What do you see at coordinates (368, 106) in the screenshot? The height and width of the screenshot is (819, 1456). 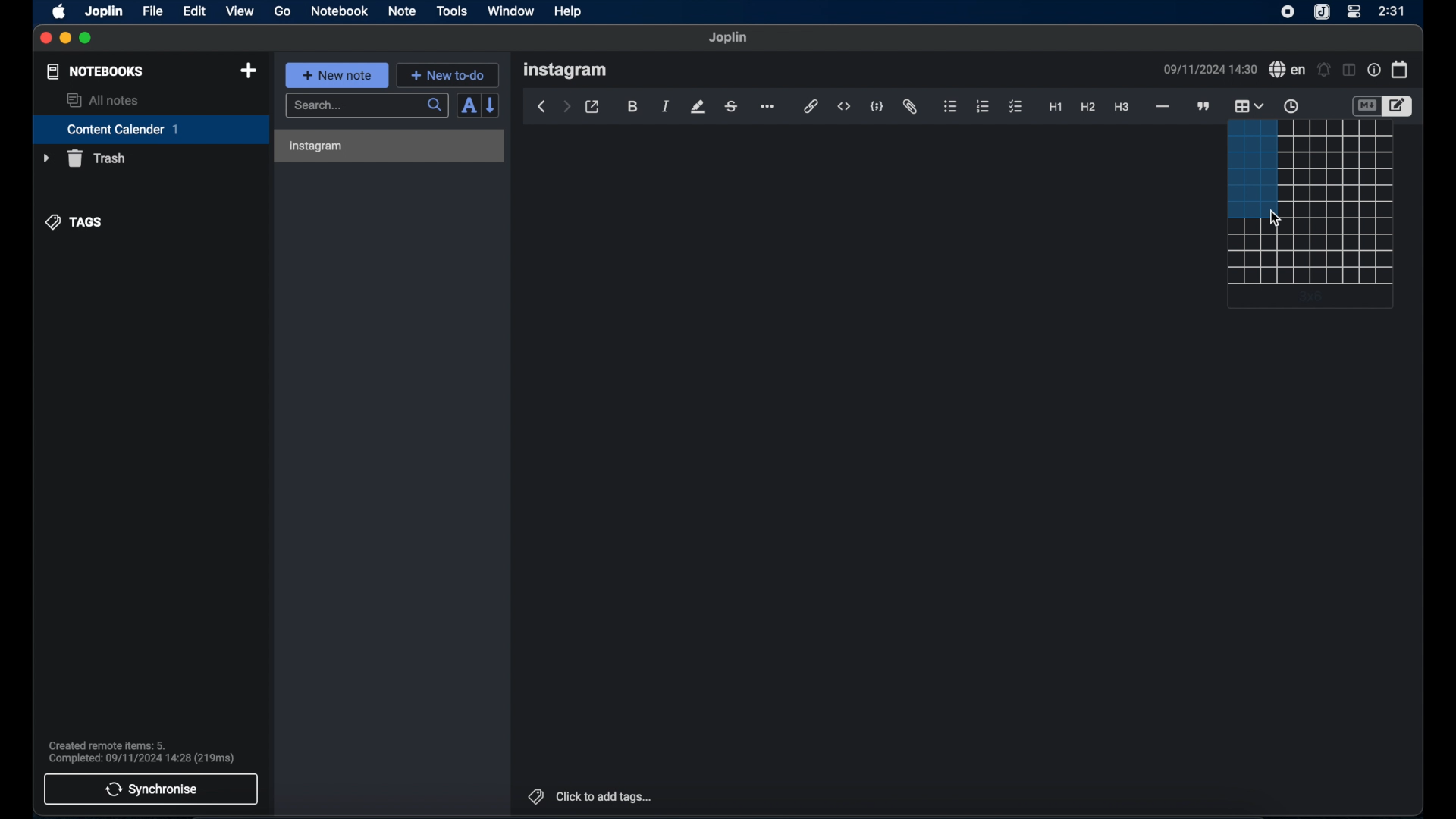 I see `search bar` at bounding box center [368, 106].